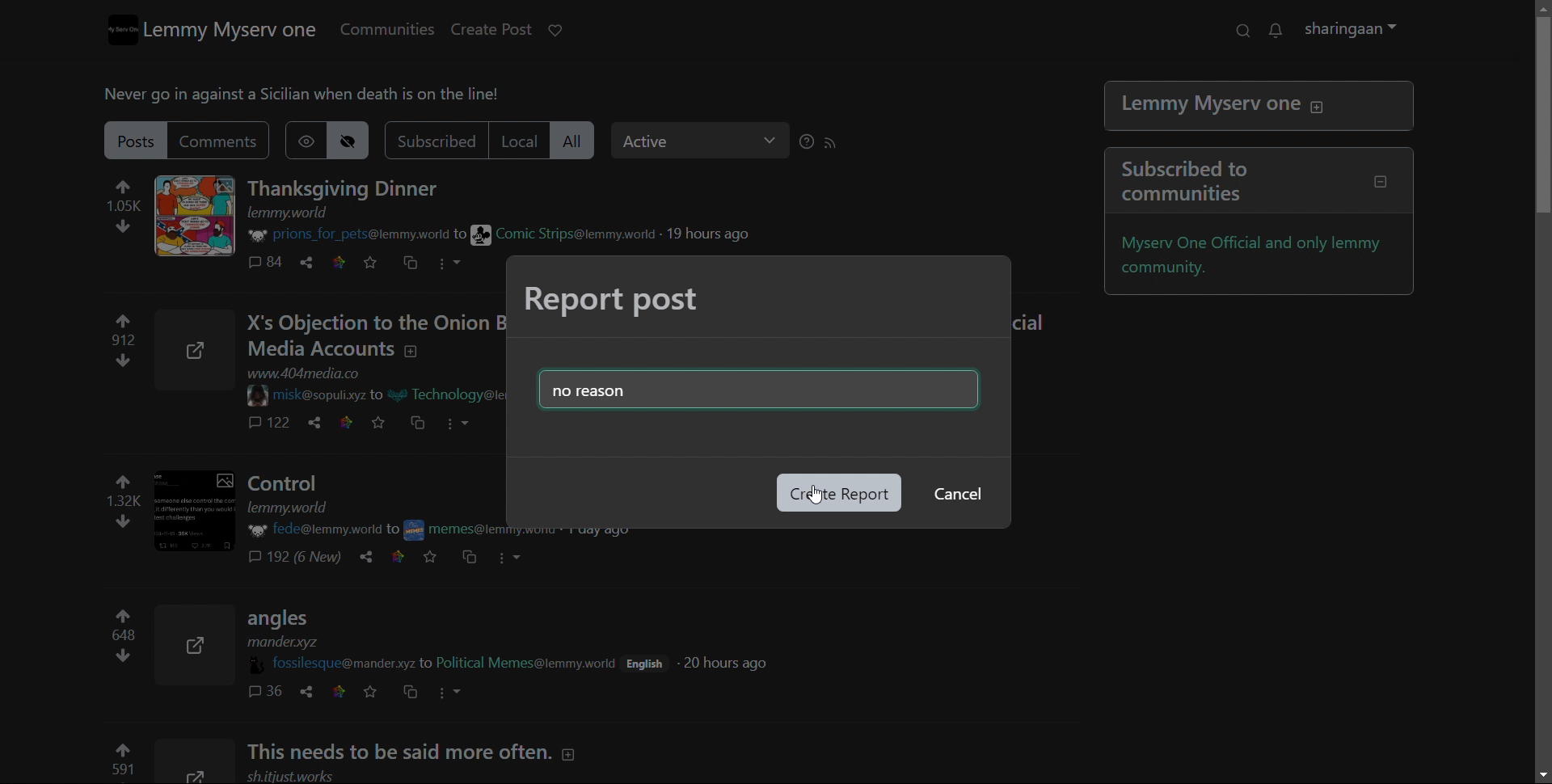  Describe the element at coordinates (318, 374) in the screenshot. I see `URL` at that location.